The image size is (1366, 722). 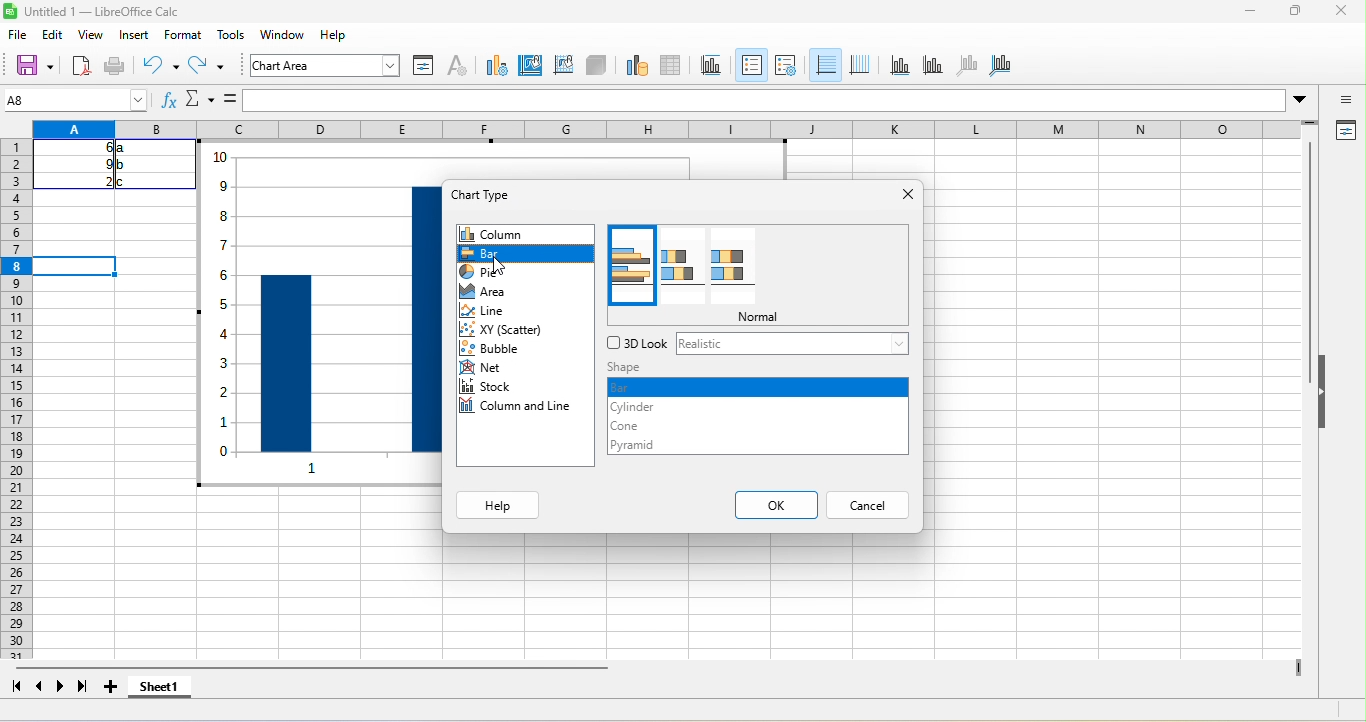 What do you see at coordinates (199, 101) in the screenshot?
I see `name box` at bounding box center [199, 101].